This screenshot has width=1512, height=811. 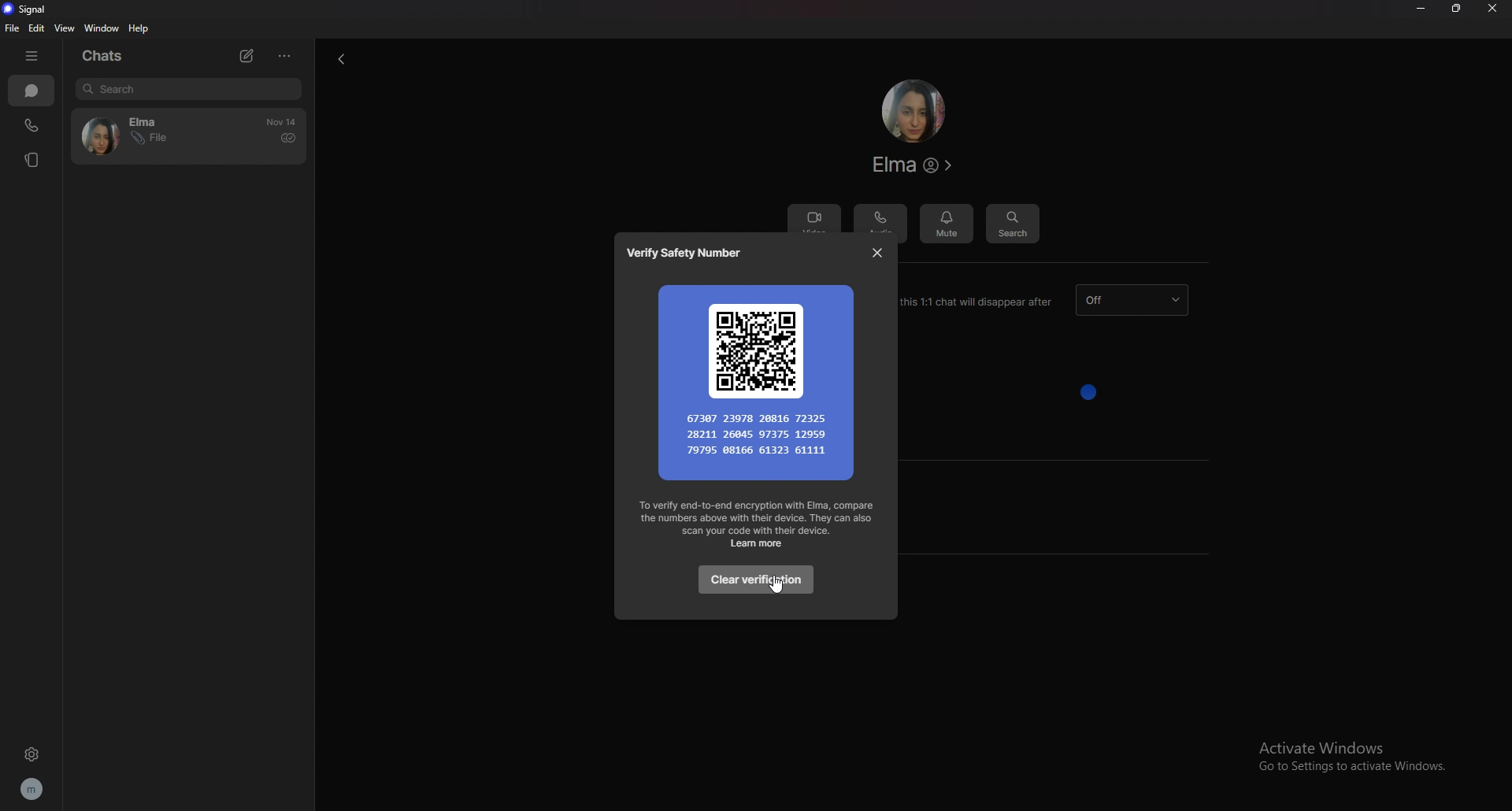 What do you see at coordinates (31, 754) in the screenshot?
I see `settings` at bounding box center [31, 754].